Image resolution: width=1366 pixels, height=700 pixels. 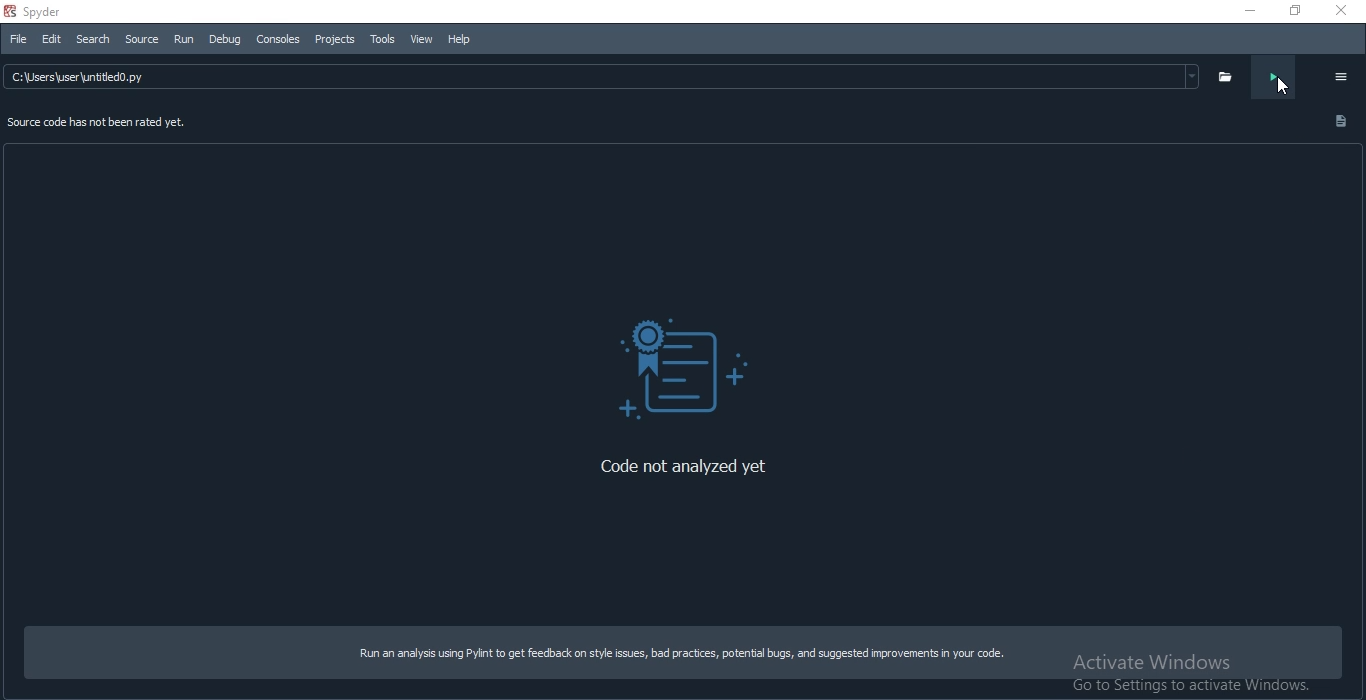 What do you see at coordinates (1226, 79) in the screenshot?
I see `folder` at bounding box center [1226, 79].